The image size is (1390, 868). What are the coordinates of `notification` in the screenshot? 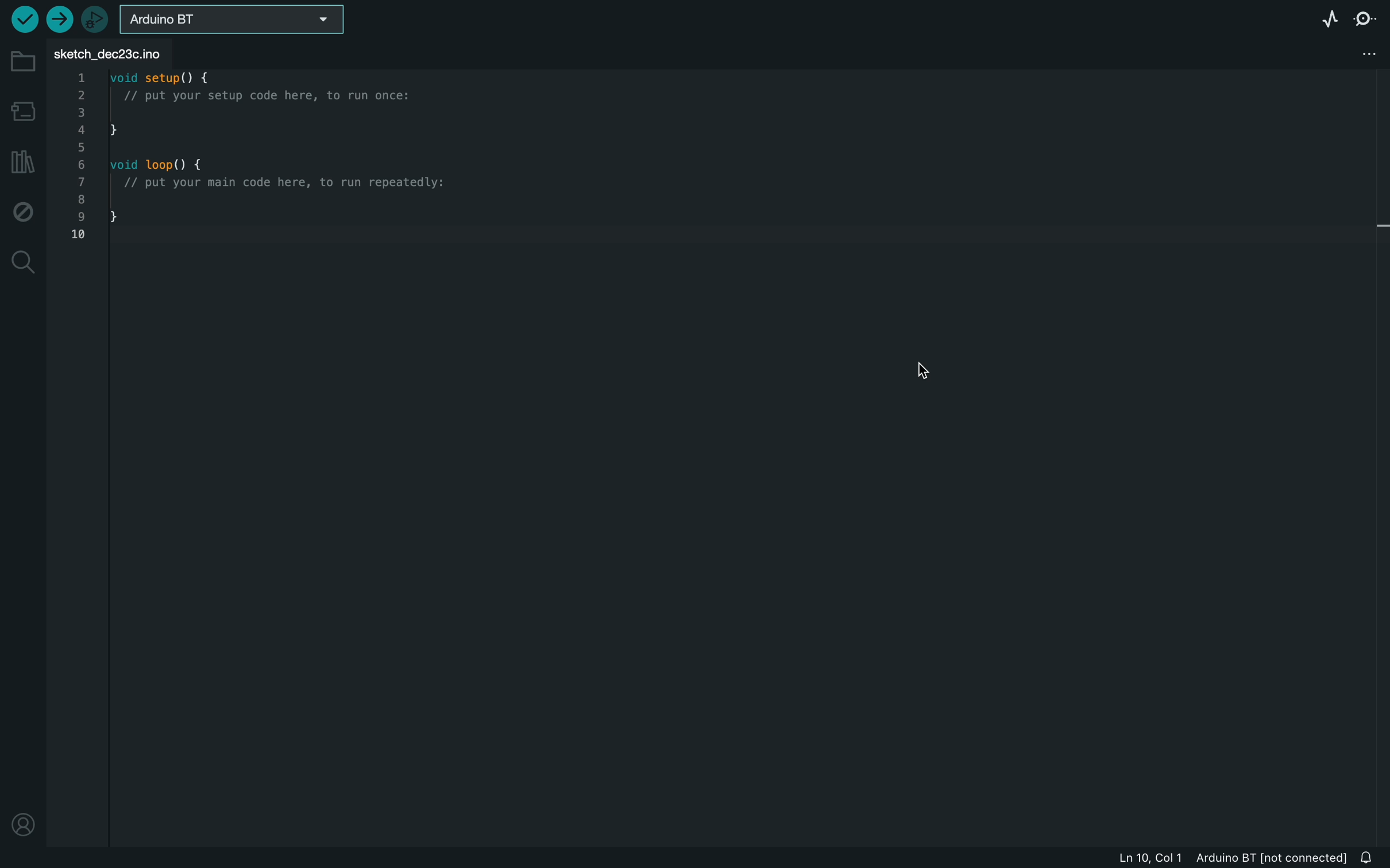 It's located at (1368, 857).